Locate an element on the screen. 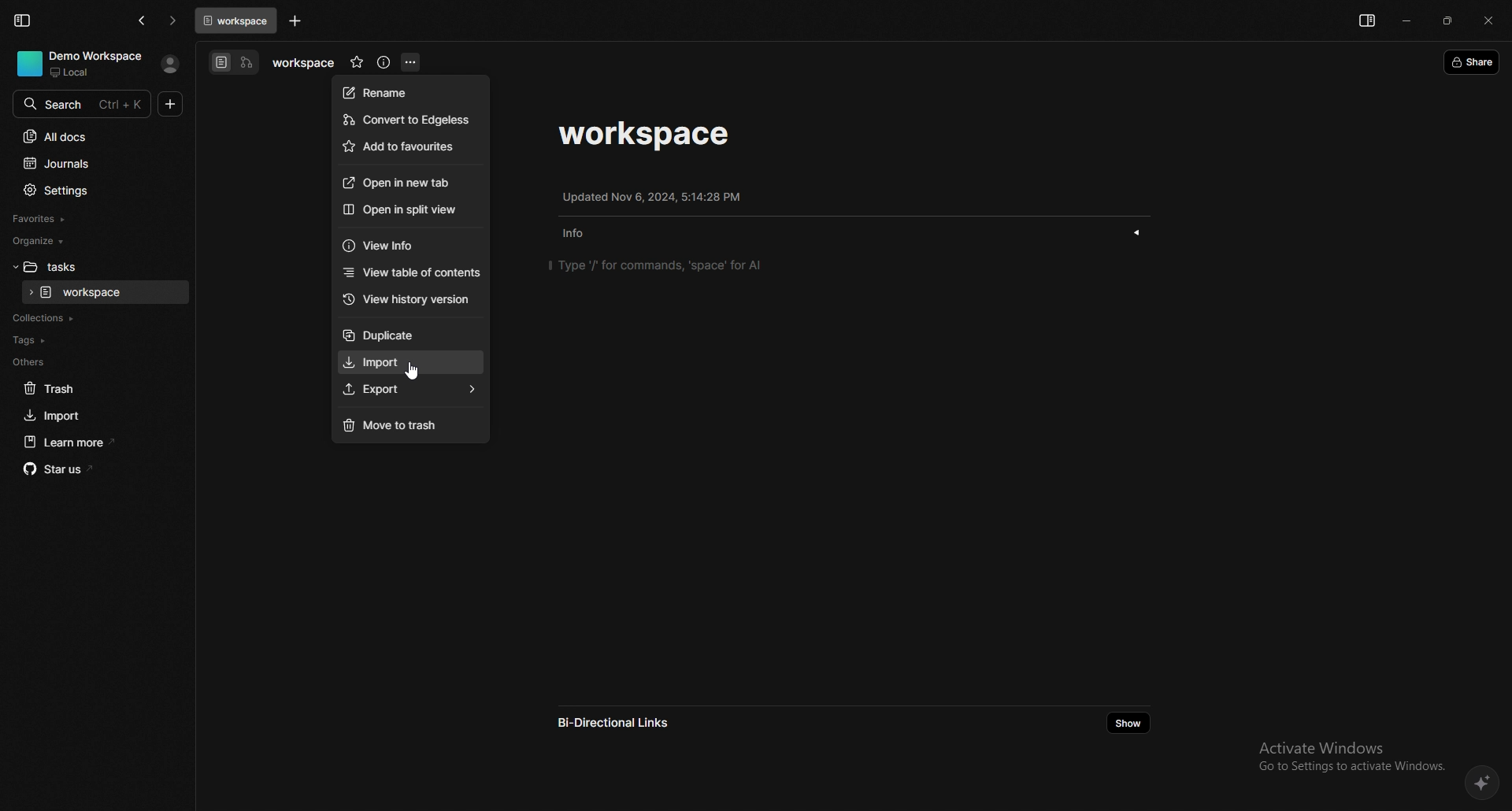 Image resolution: width=1512 pixels, height=811 pixels. import is located at coordinates (91, 416).